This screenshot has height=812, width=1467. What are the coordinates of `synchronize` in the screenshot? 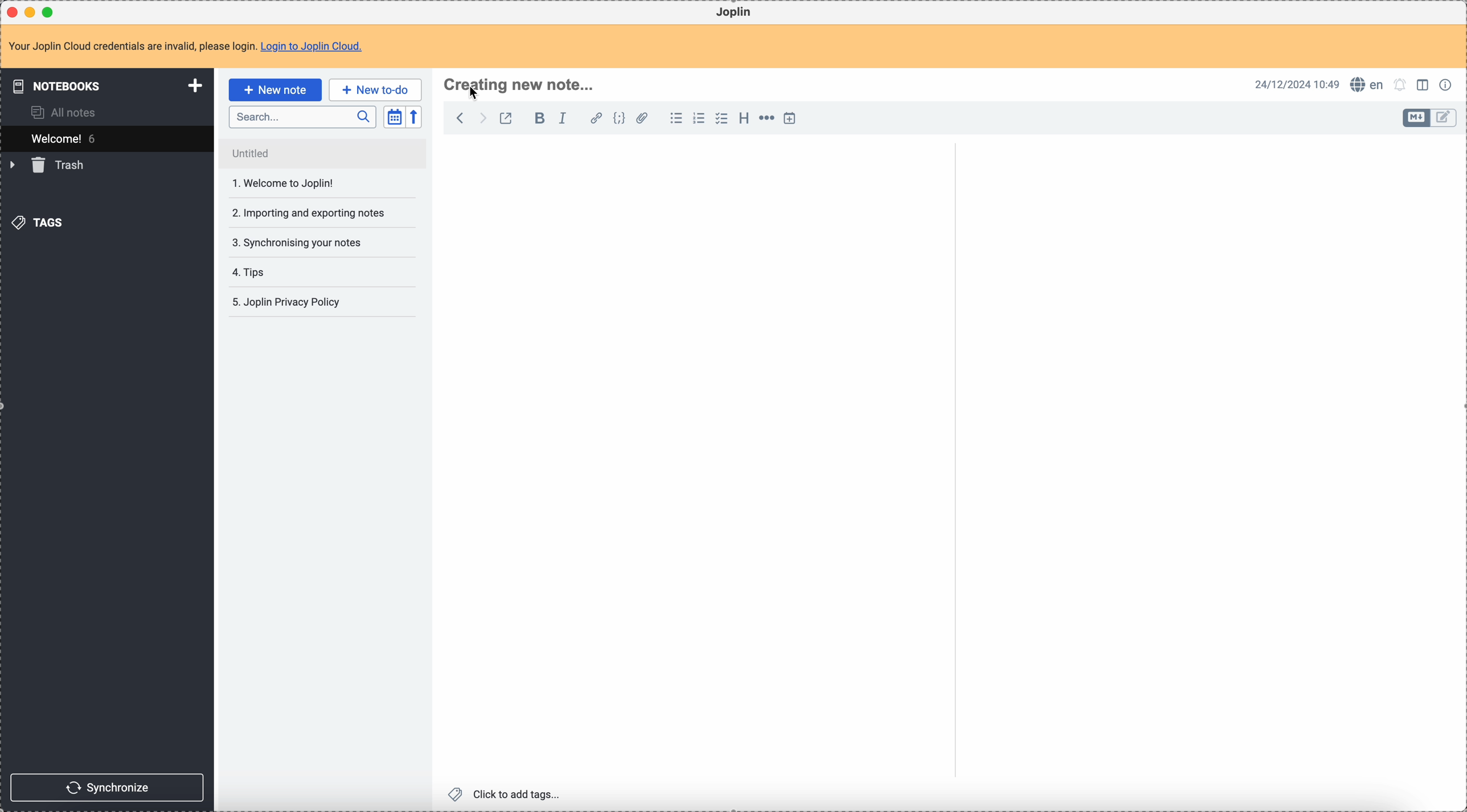 It's located at (109, 786).